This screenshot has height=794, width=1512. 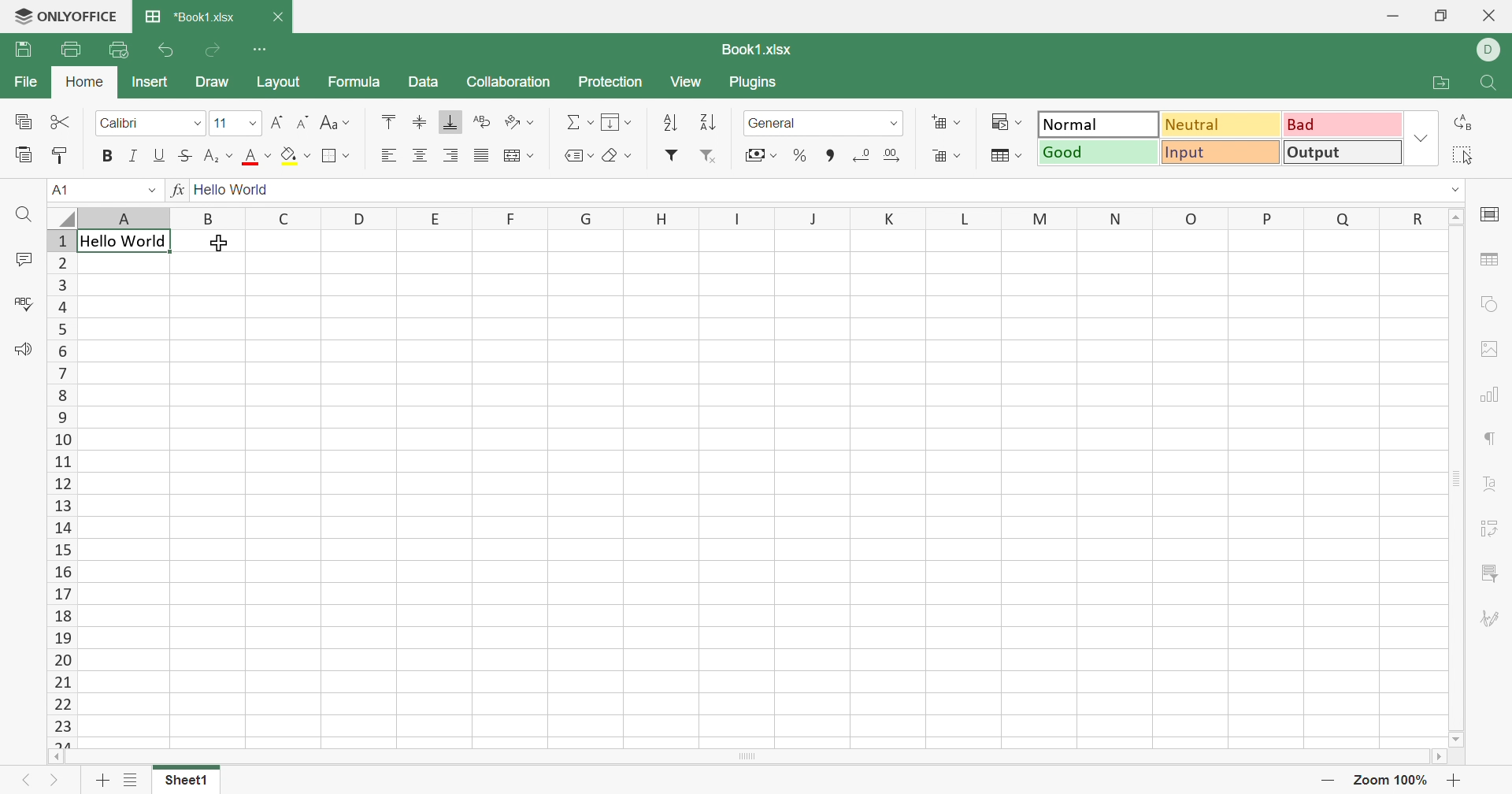 What do you see at coordinates (52, 781) in the screenshot?
I see `Next` at bounding box center [52, 781].